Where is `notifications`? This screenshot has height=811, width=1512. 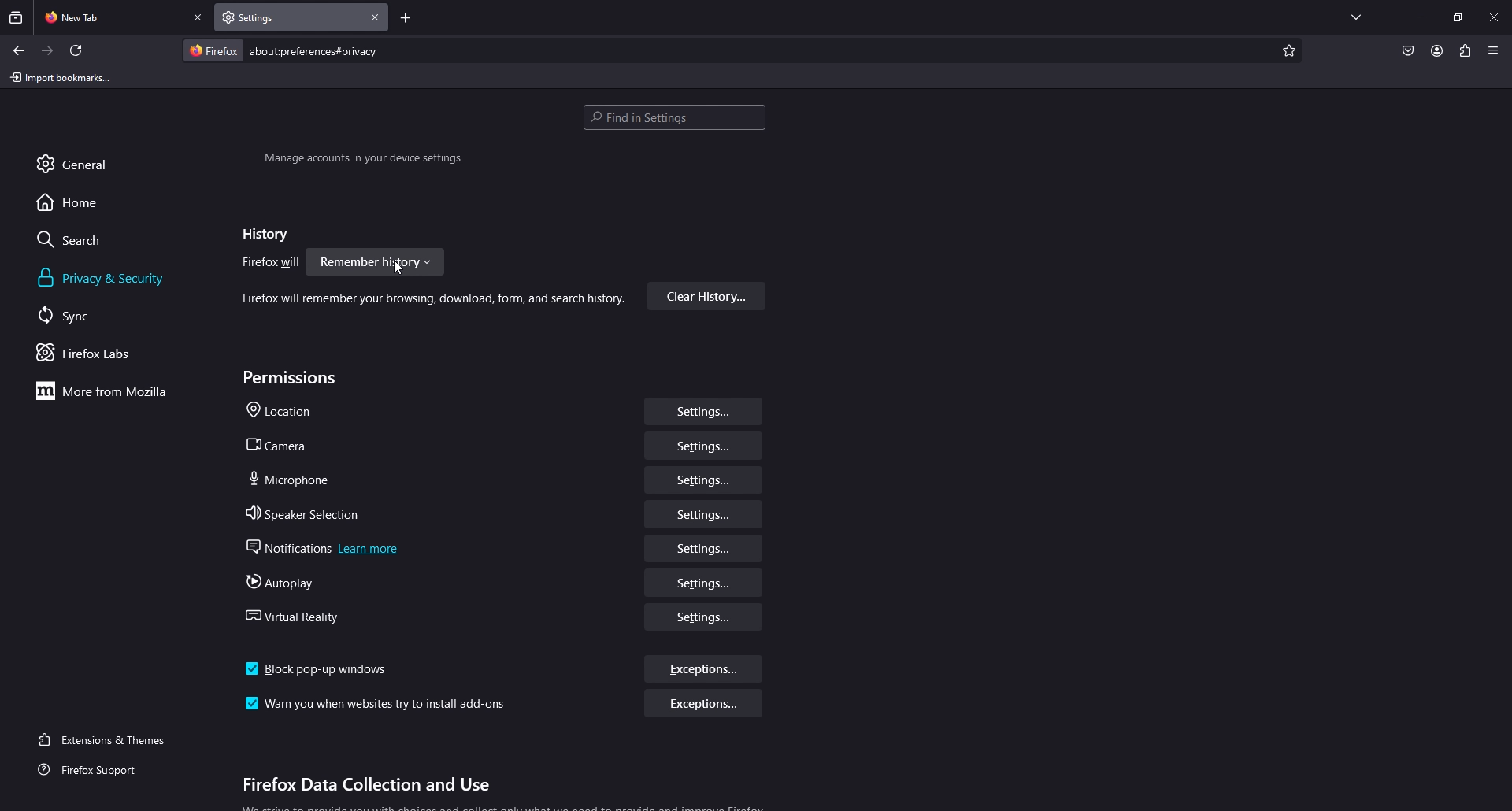
notifications is located at coordinates (327, 549).